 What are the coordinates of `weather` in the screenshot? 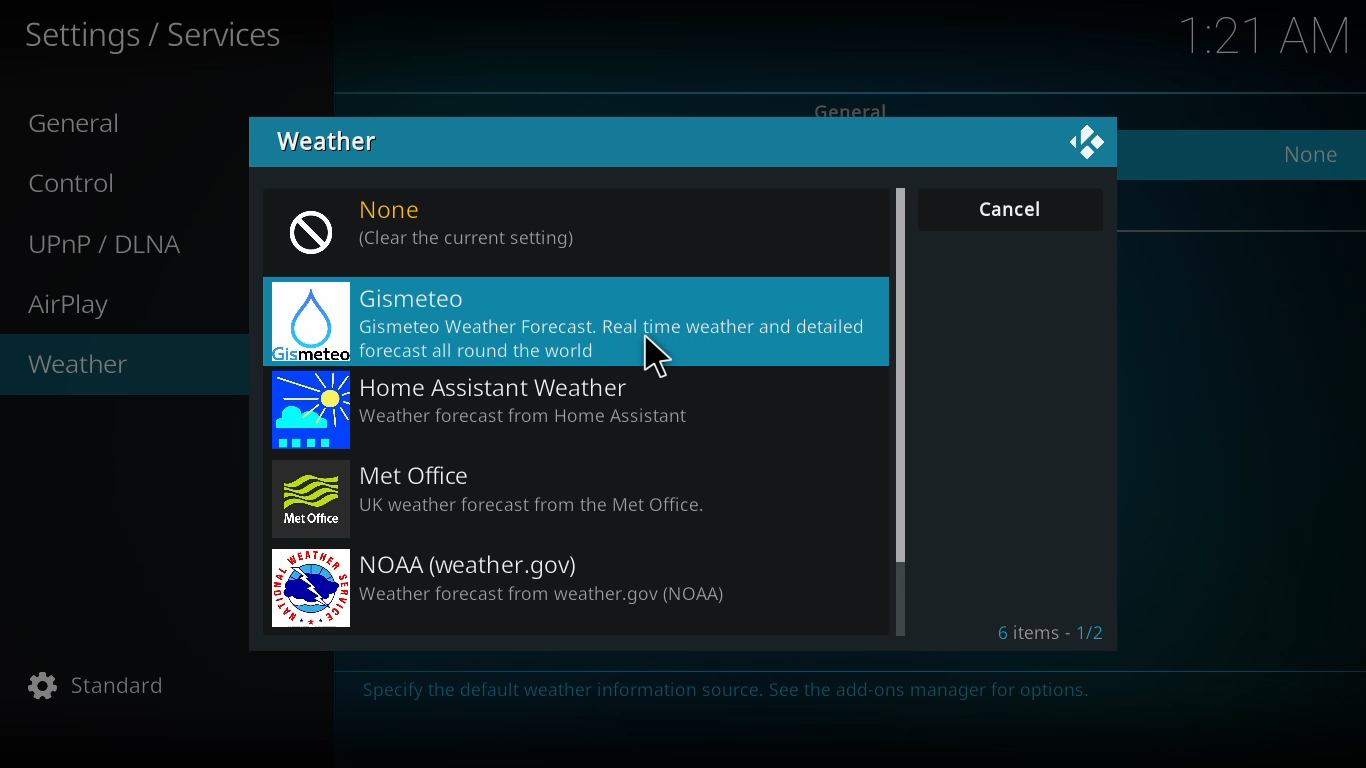 It's located at (79, 366).